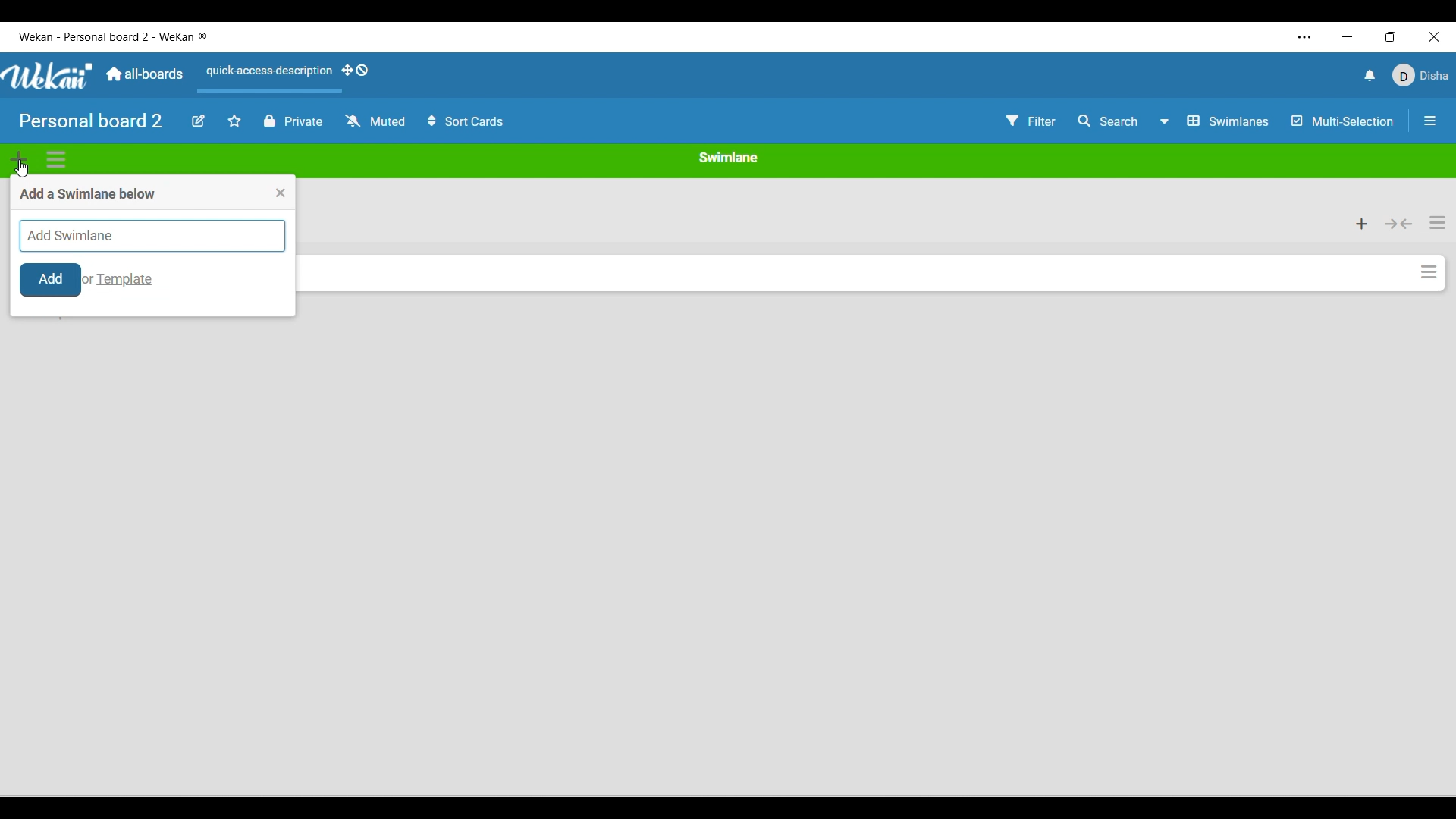 Image resolution: width=1456 pixels, height=819 pixels. I want to click on Close/Open side bar, so click(1429, 121).